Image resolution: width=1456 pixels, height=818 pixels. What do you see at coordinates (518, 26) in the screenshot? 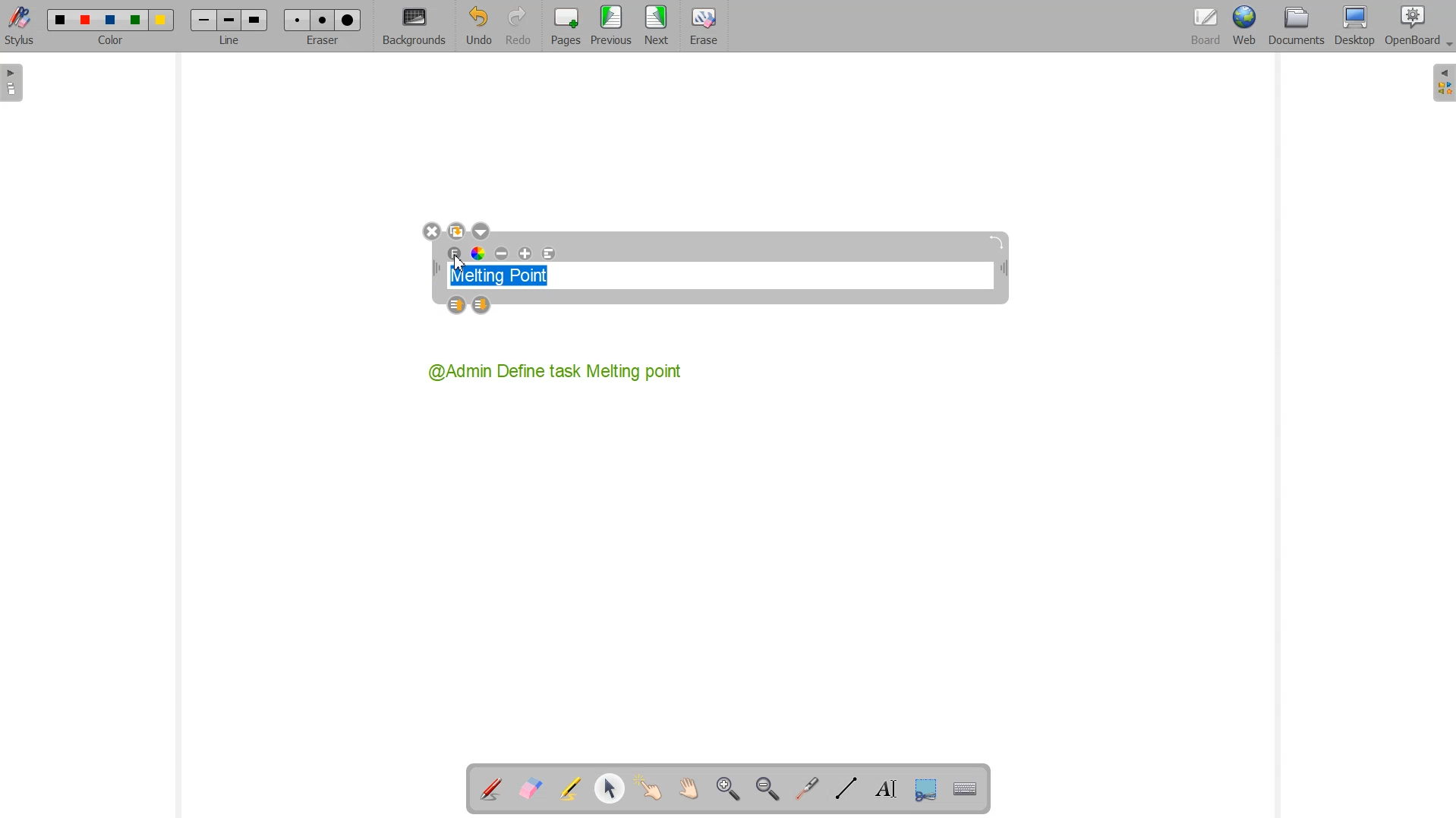
I see `Redo` at bounding box center [518, 26].